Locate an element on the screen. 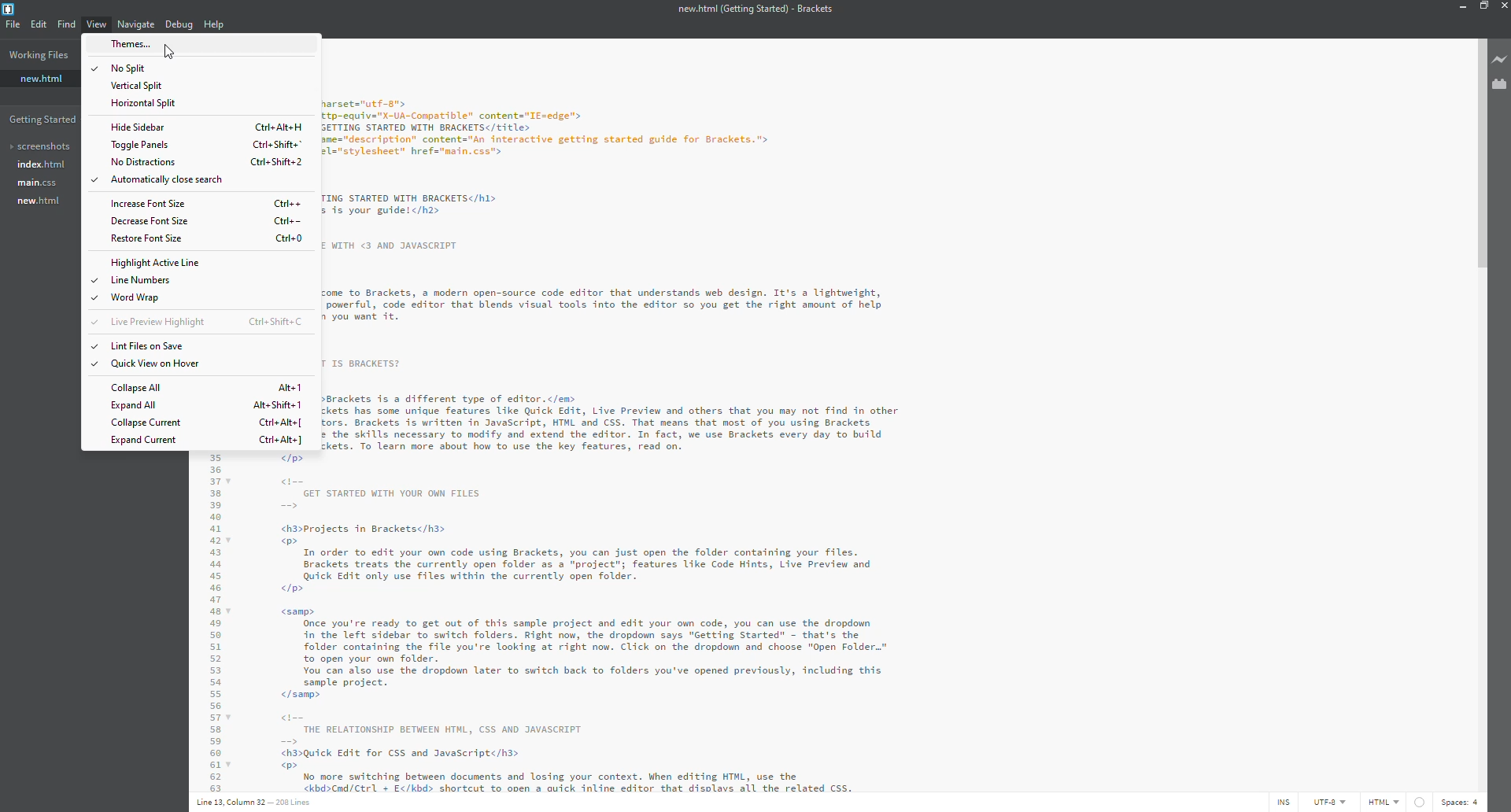  shortcut is located at coordinates (290, 389).